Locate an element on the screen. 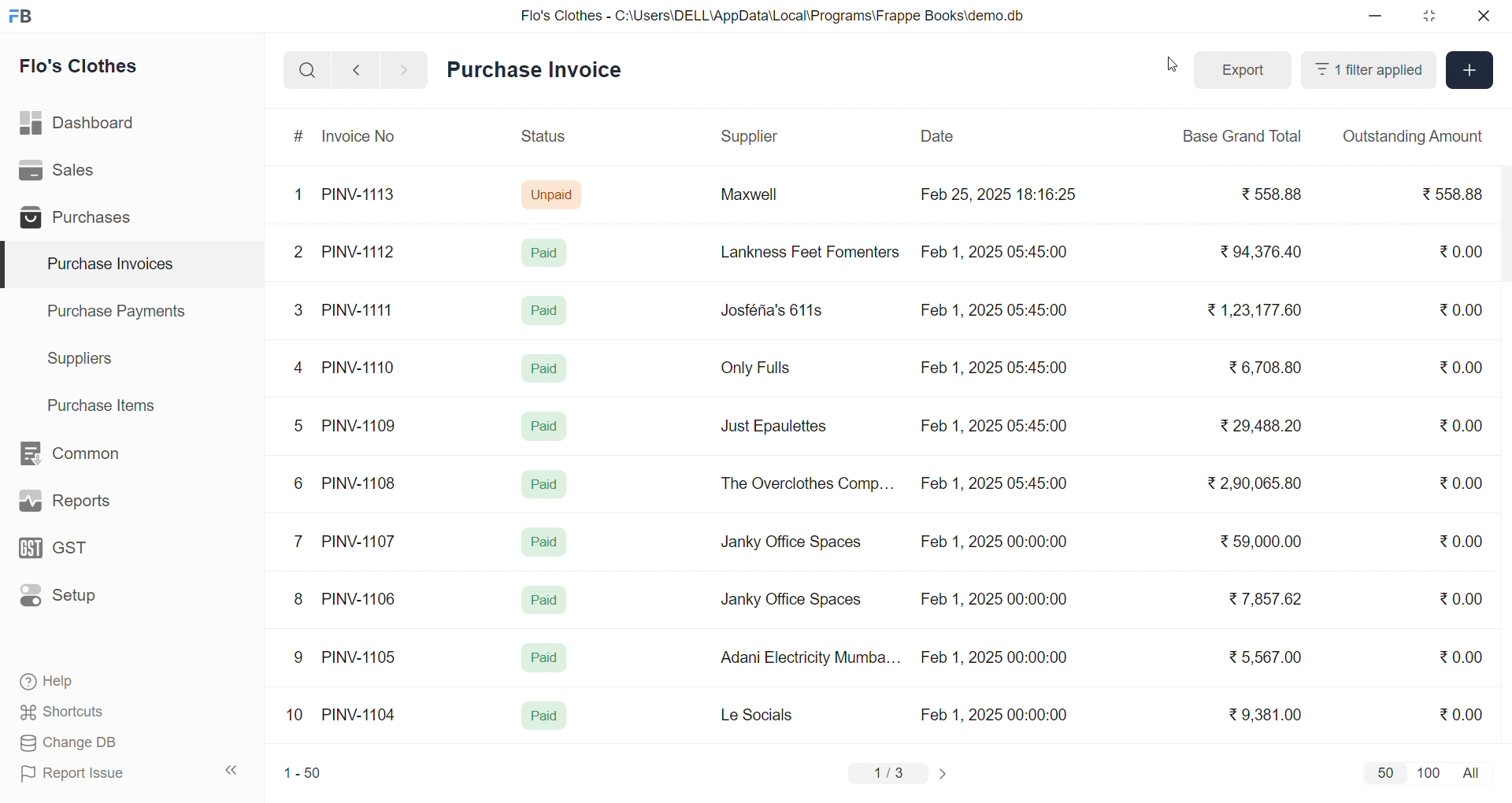  Change DB is located at coordinates (99, 743).